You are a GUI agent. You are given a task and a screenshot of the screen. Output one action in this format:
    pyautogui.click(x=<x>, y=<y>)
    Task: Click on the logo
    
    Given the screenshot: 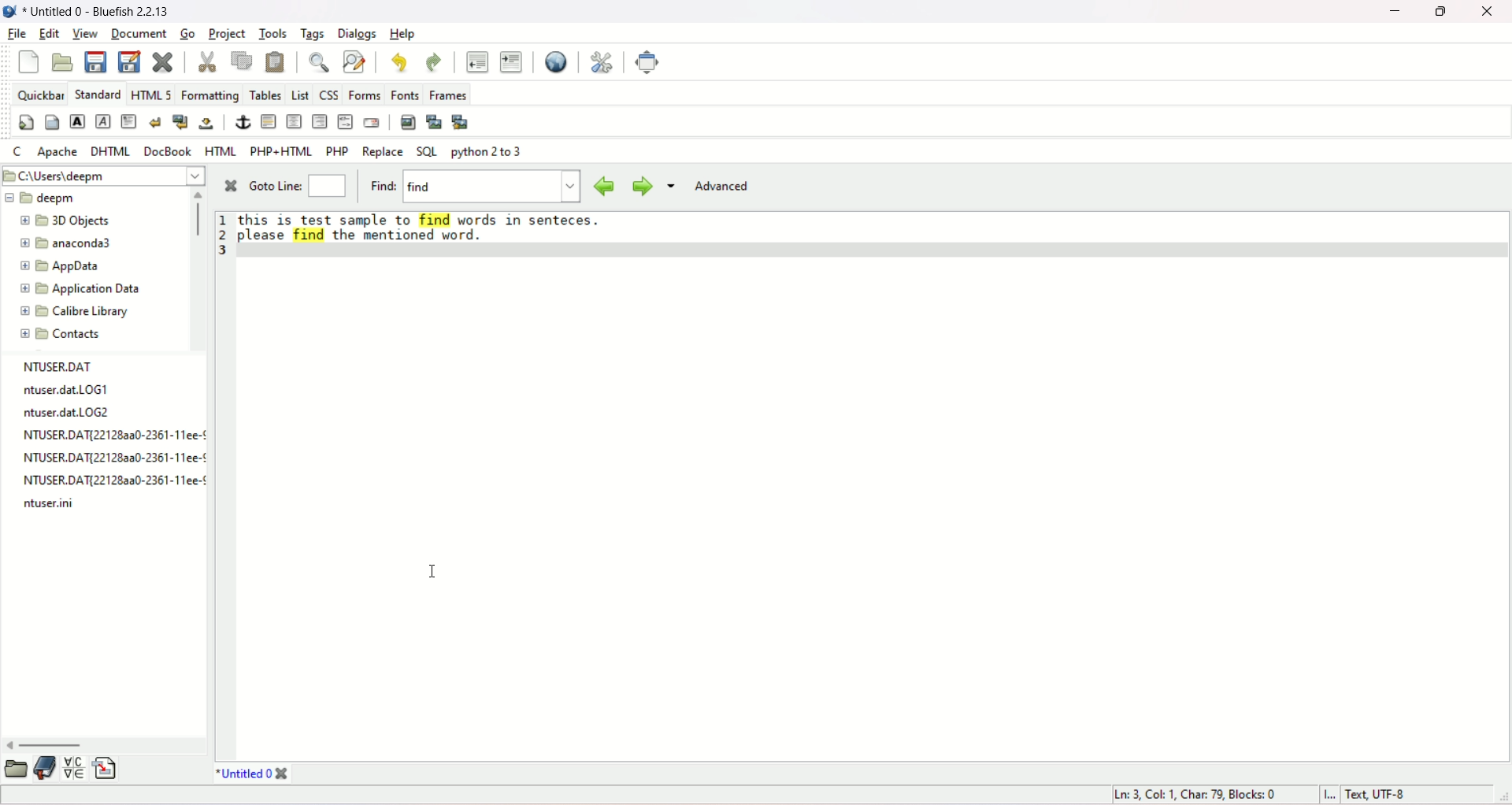 What is the action you would take?
    pyautogui.click(x=9, y=12)
    